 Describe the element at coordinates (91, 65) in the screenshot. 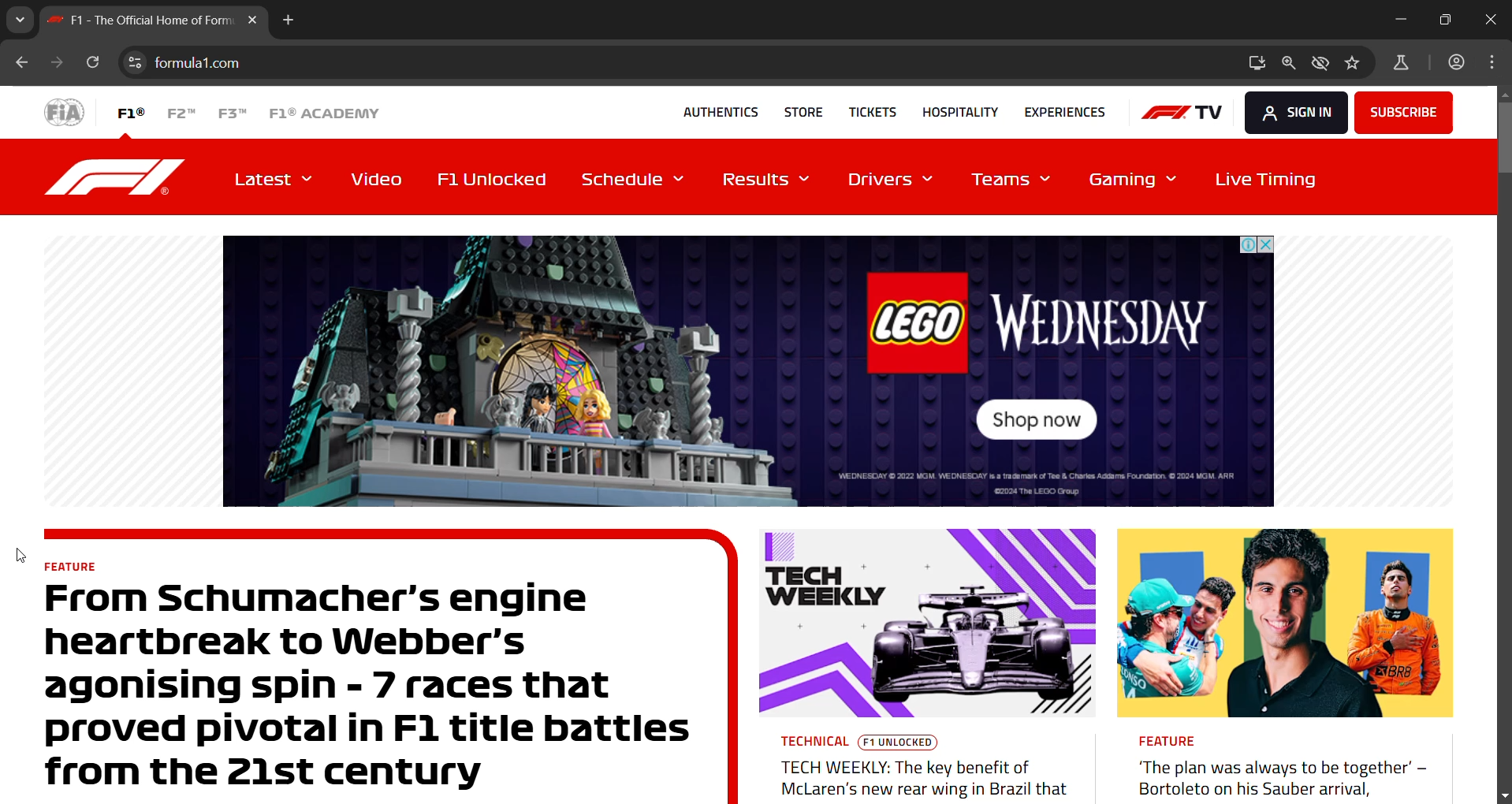

I see `reload this page` at that location.